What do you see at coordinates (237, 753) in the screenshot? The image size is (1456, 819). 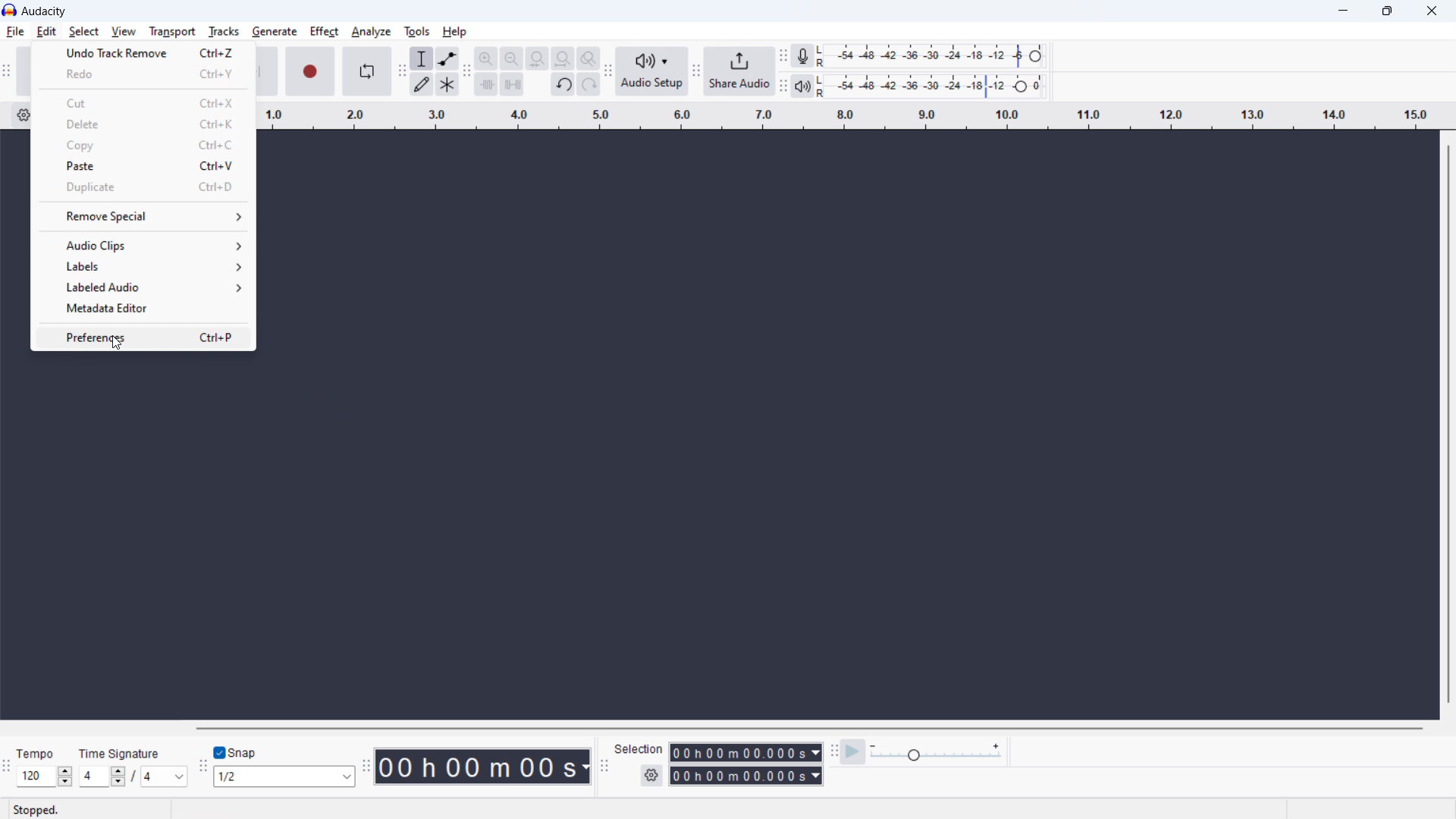 I see `toggle snap` at bounding box center [237, 753].